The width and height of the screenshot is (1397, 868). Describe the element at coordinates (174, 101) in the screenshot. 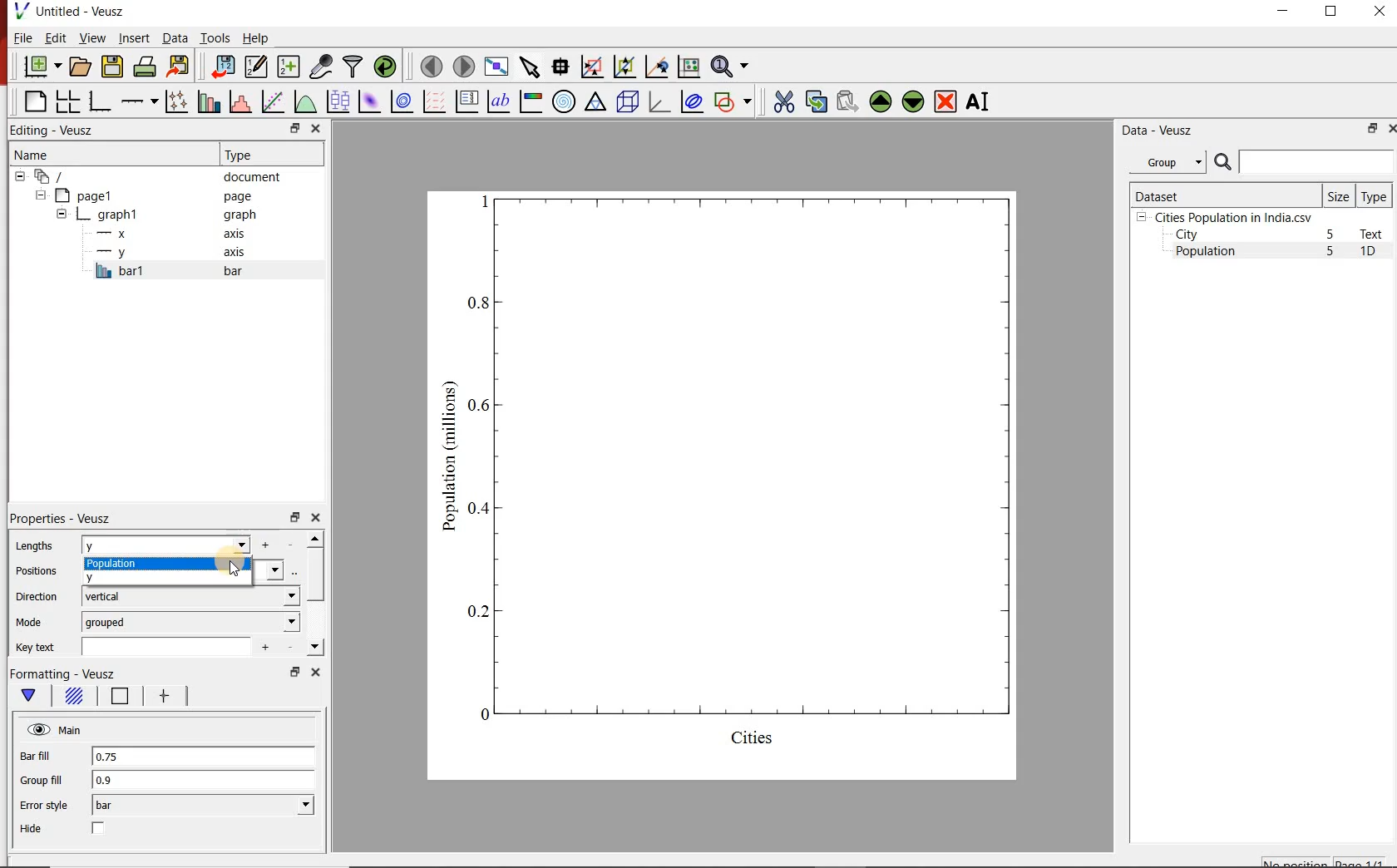

I see `plot points with lines and errorbars` at that location.